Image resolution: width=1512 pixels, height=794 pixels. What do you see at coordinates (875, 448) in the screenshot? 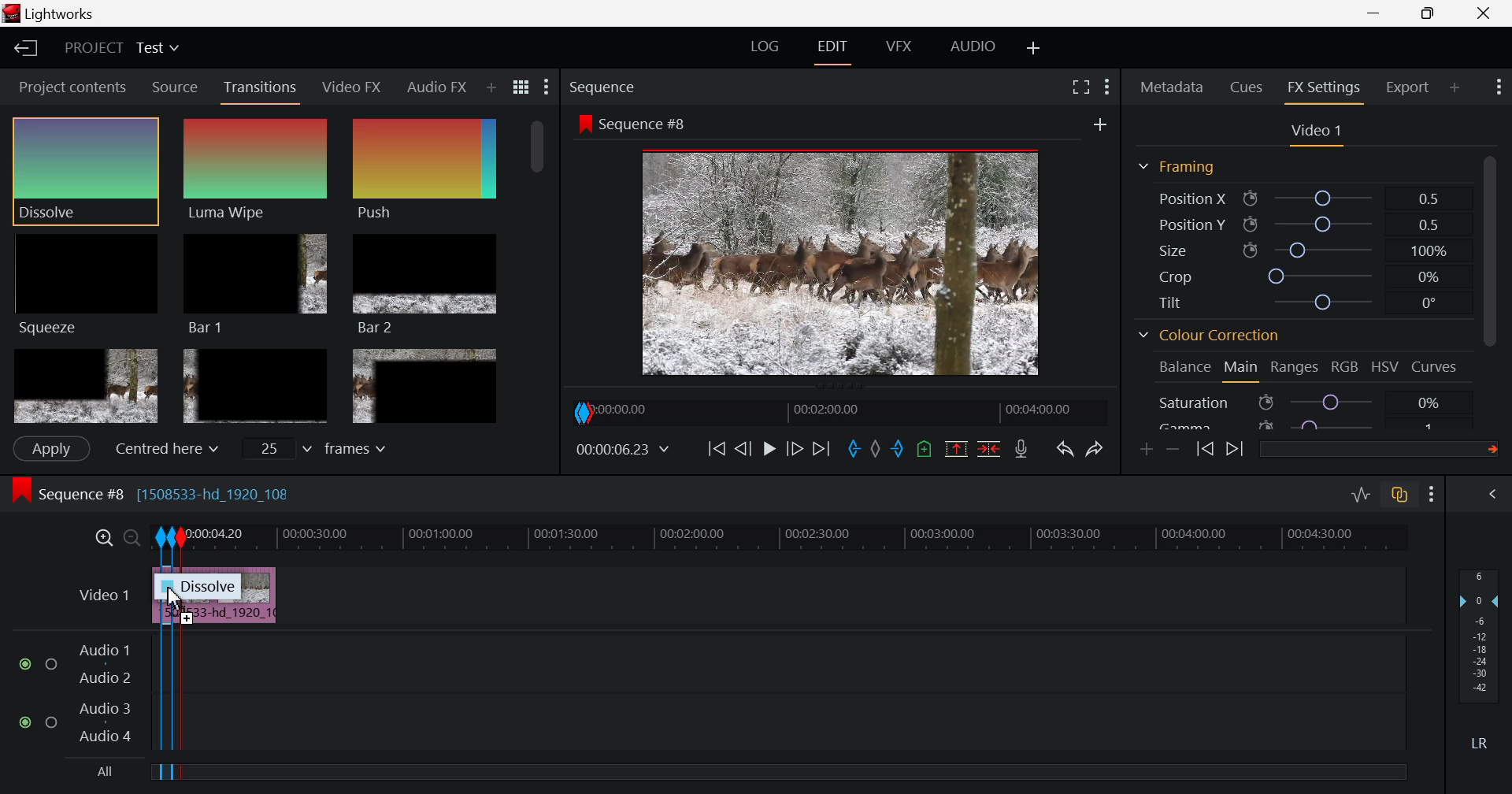
I see `Remove all marks` at bounding box center [875, 448].